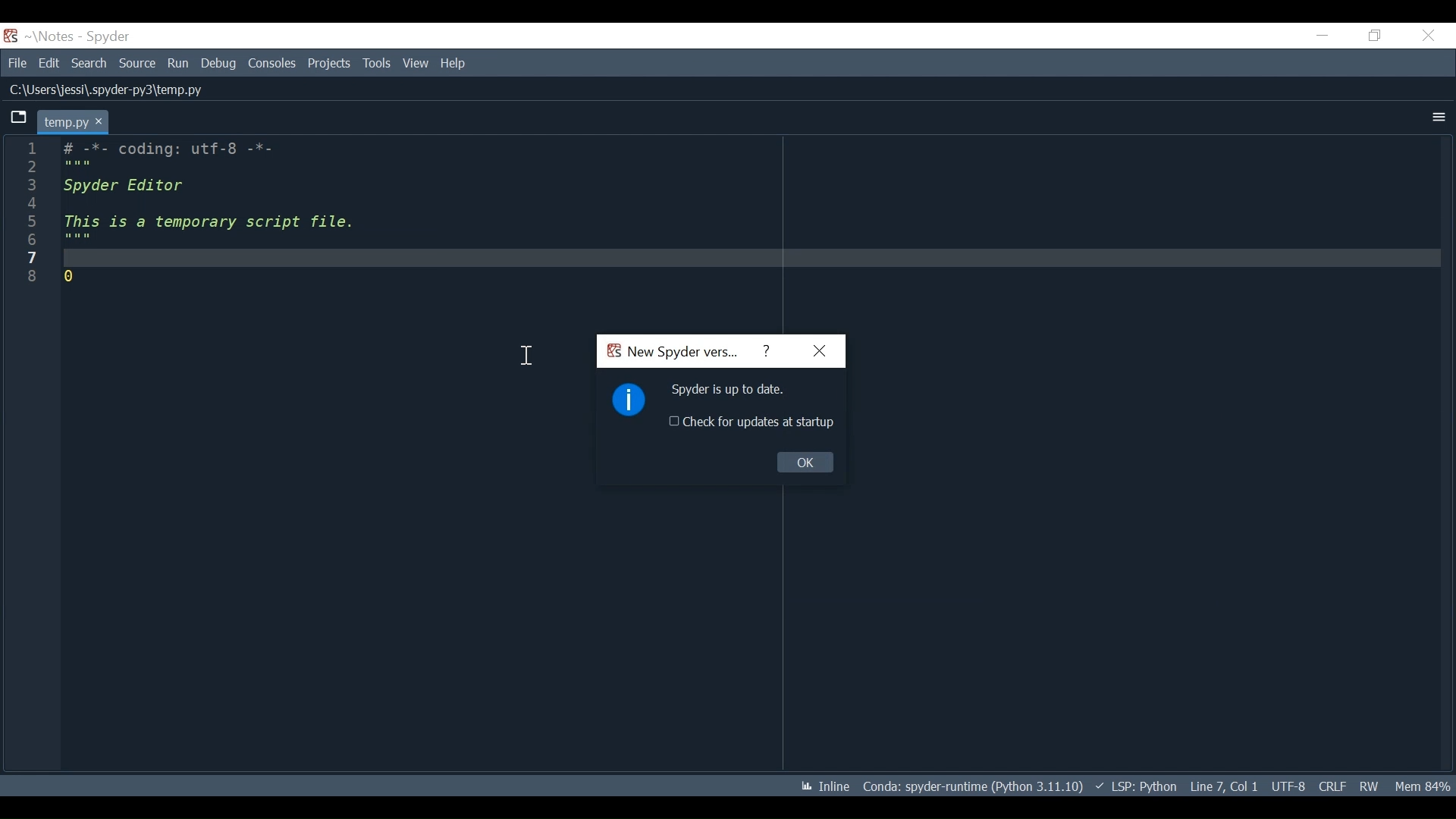  Describe the element at coordinates (974, 786) in the screenshot. I see `Conda: spyder-runtime (Python 3.11.10)` at that location.